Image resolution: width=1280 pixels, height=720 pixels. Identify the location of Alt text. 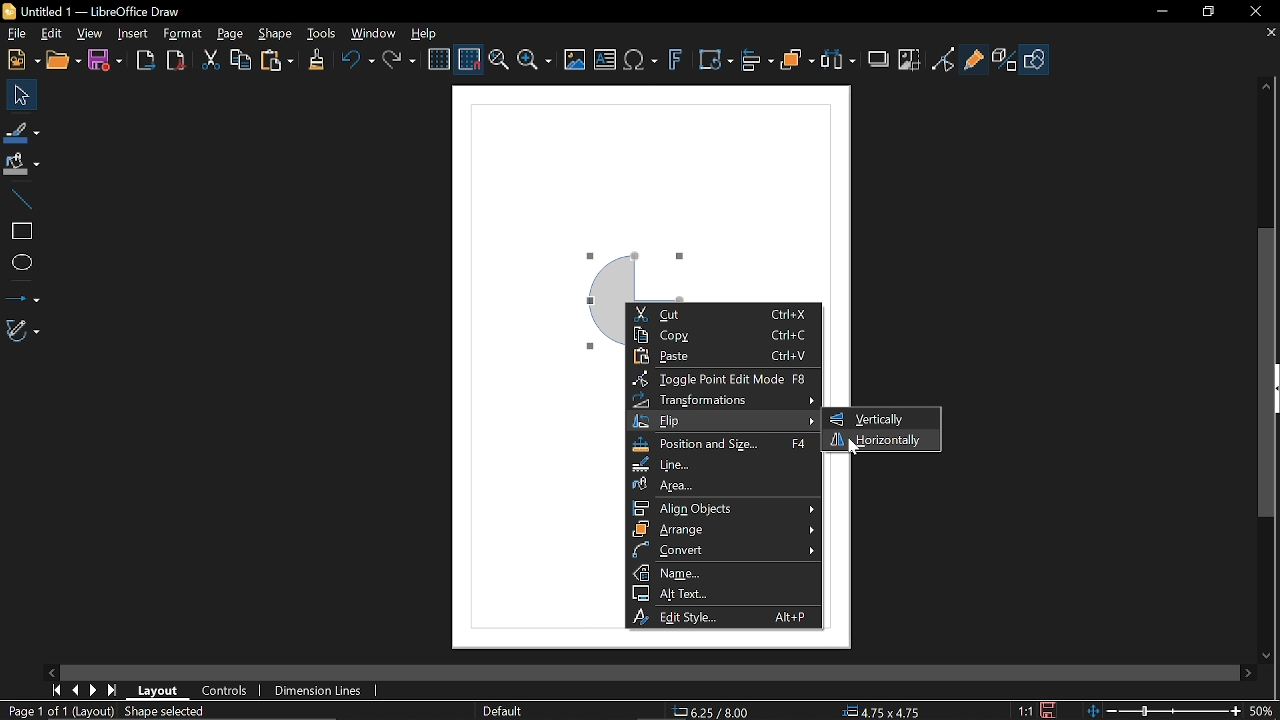
(720, 594).